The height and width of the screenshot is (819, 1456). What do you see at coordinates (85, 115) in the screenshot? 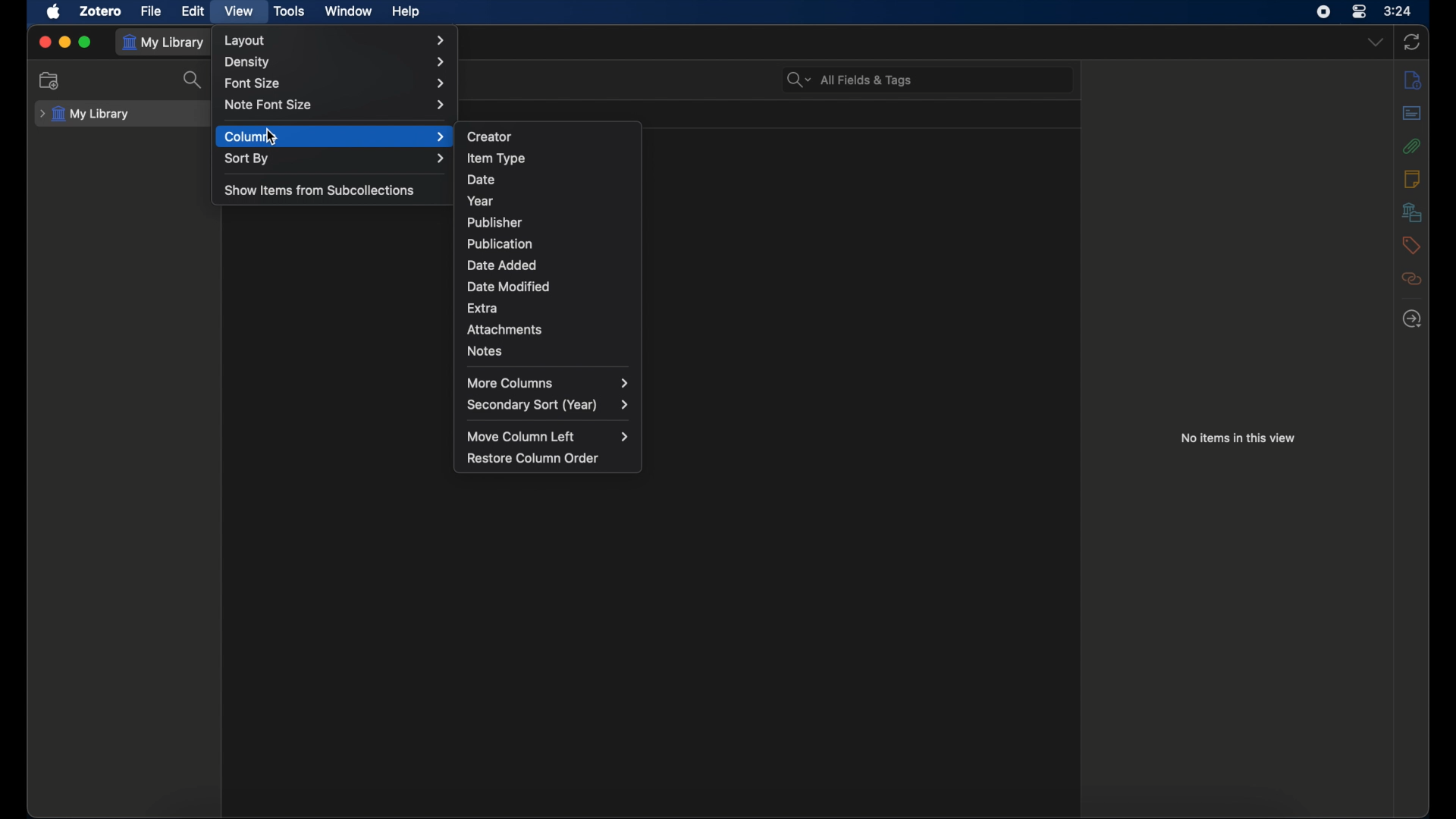
I see `my library` at bounding box center [85, 115].